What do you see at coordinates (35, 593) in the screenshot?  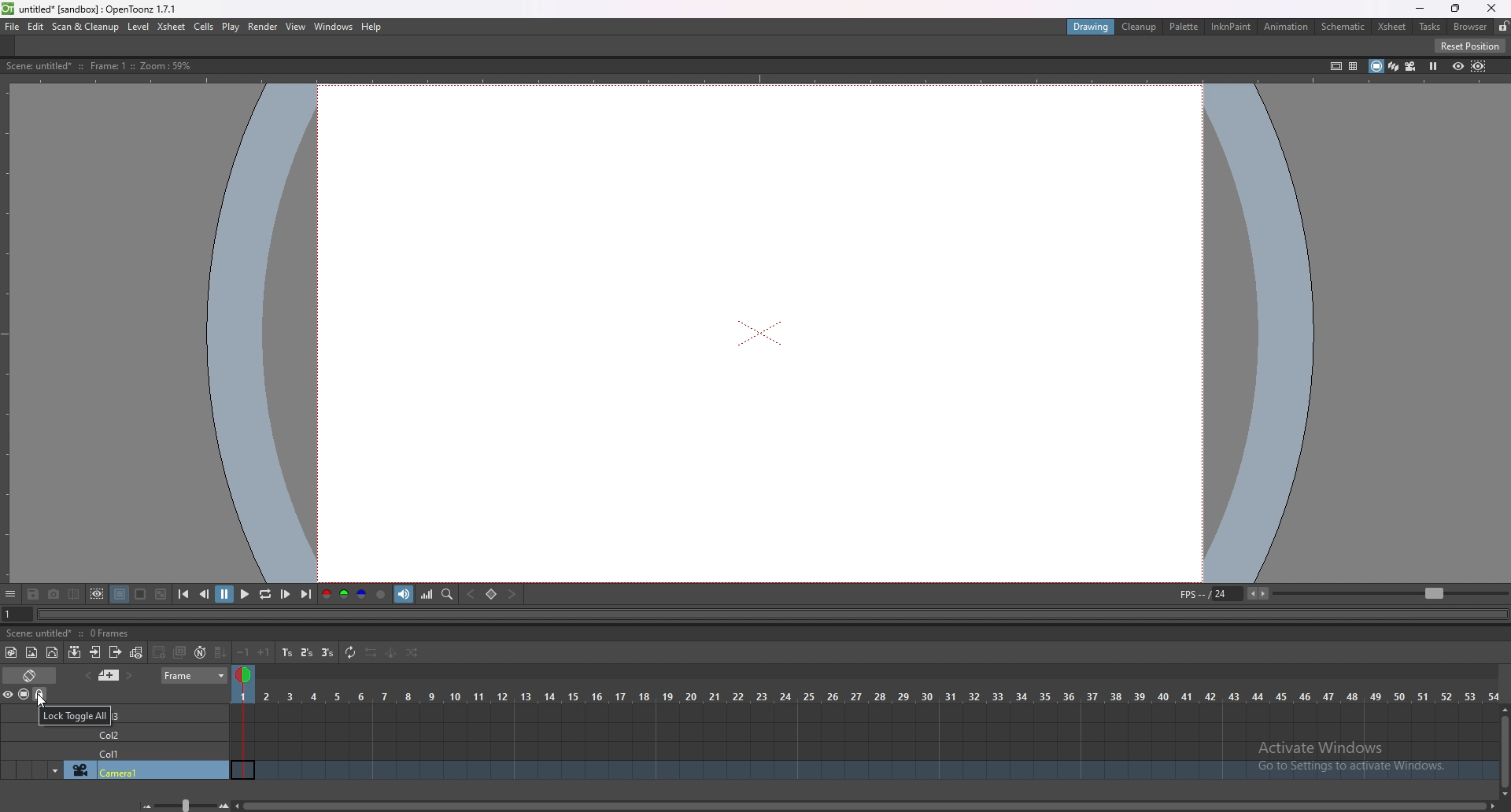 I see `save` at bounding box center [35, 593].